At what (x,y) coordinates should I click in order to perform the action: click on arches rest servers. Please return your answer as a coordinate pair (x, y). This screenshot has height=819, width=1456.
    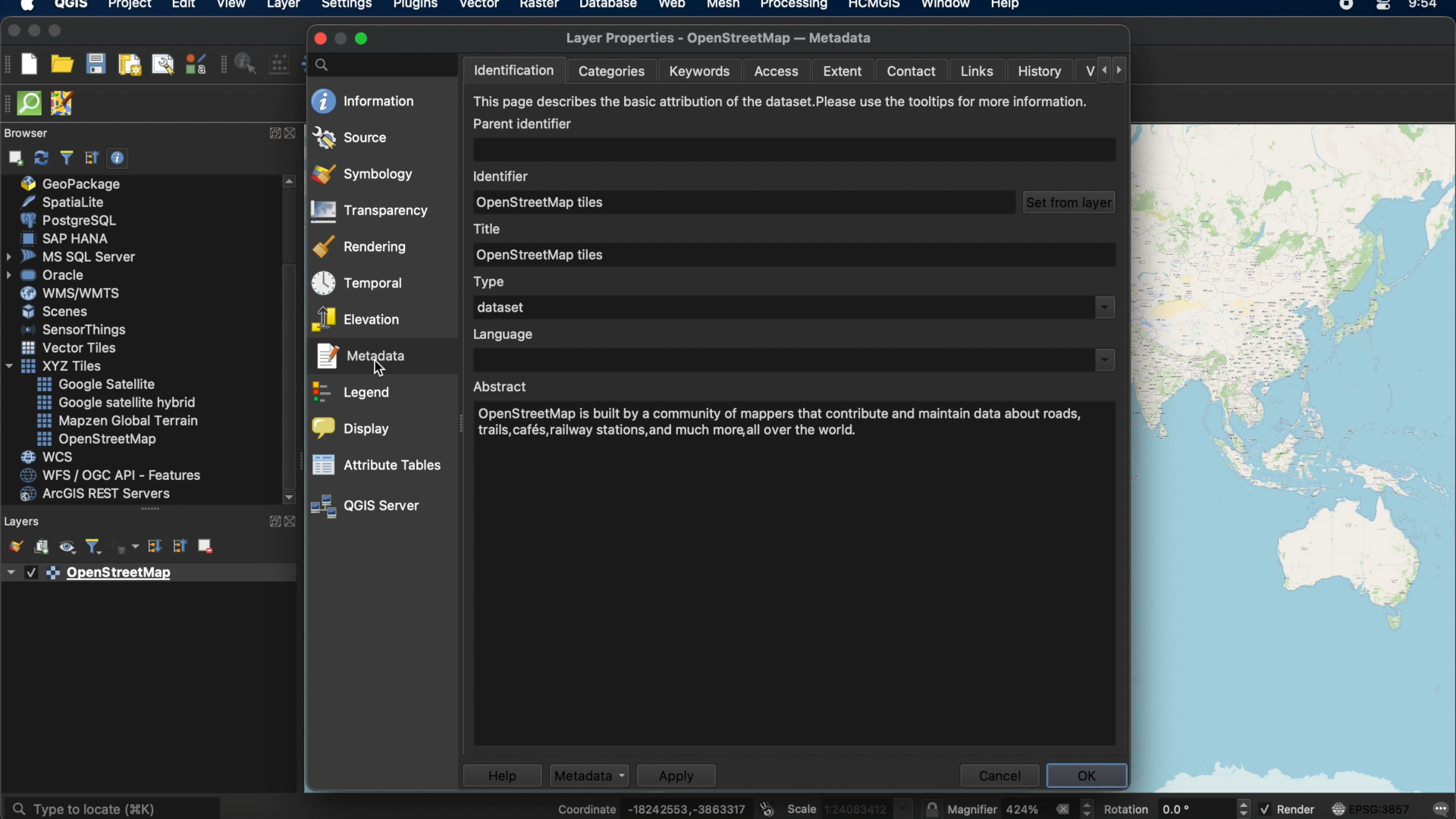
    Looking at the image, I should click on (101, 495).